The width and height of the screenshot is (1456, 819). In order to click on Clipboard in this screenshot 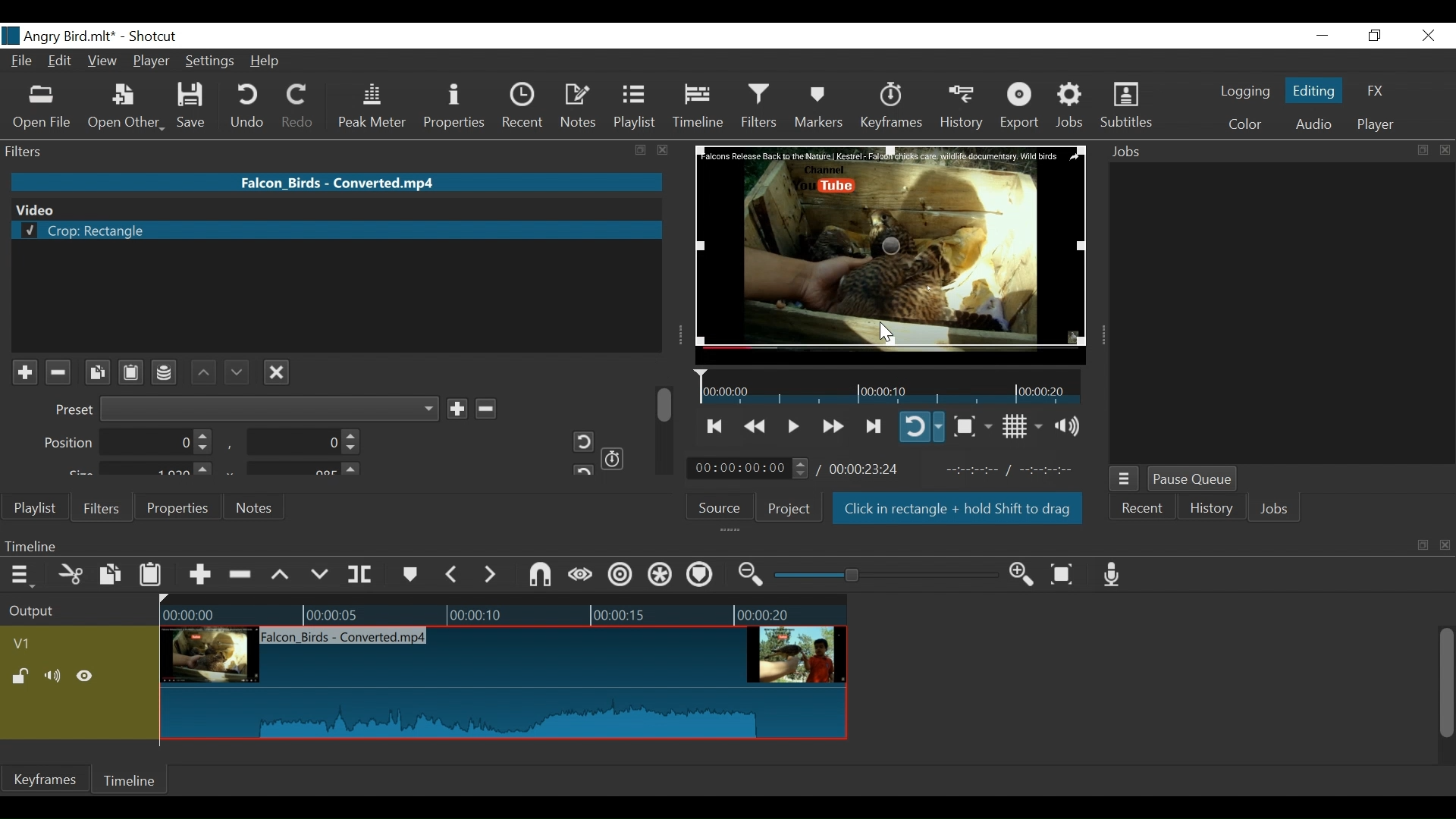, I will do `click(133, 371)`.